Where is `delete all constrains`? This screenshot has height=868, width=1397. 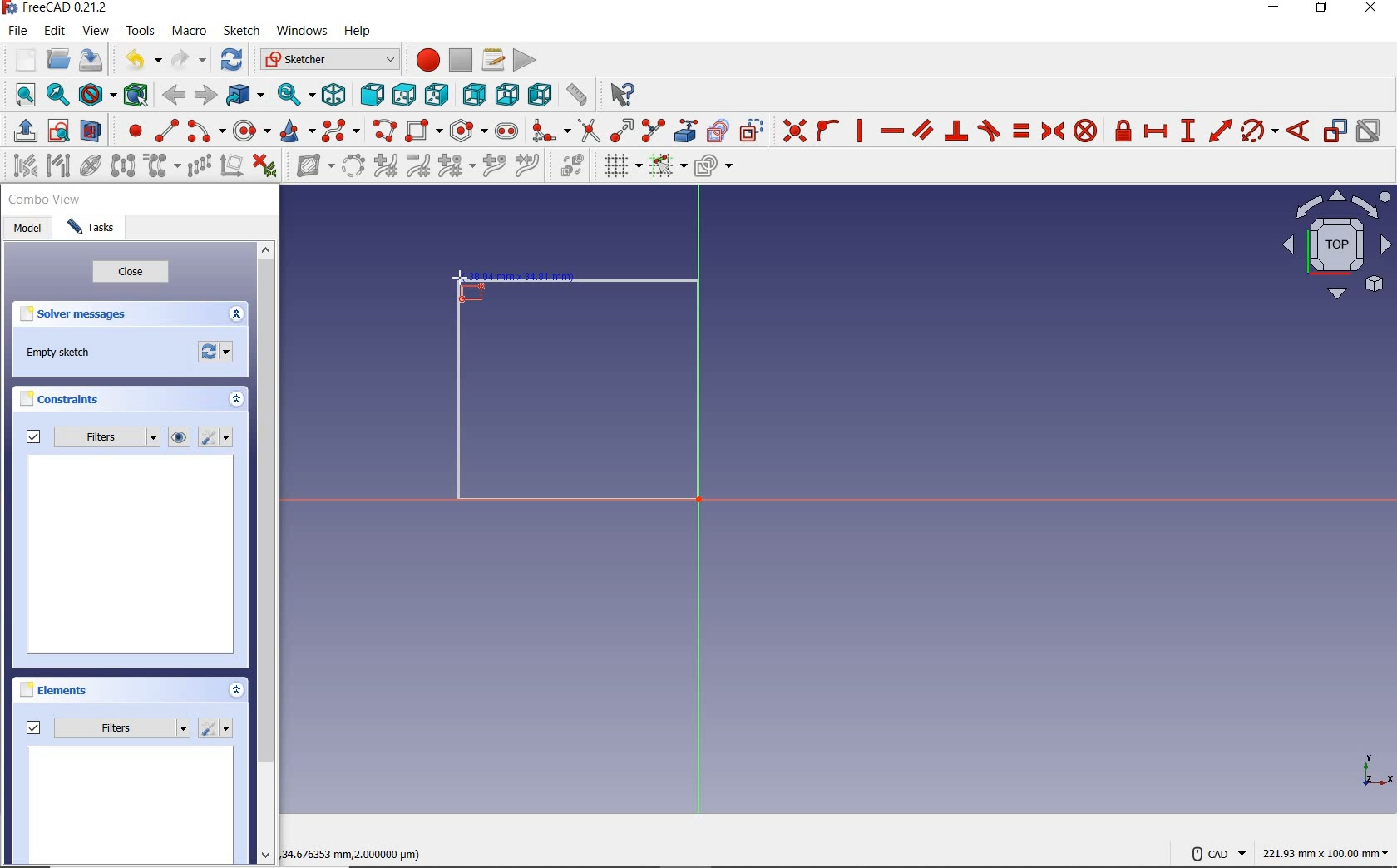 delete all constrains is located at coordinates (265, 167).